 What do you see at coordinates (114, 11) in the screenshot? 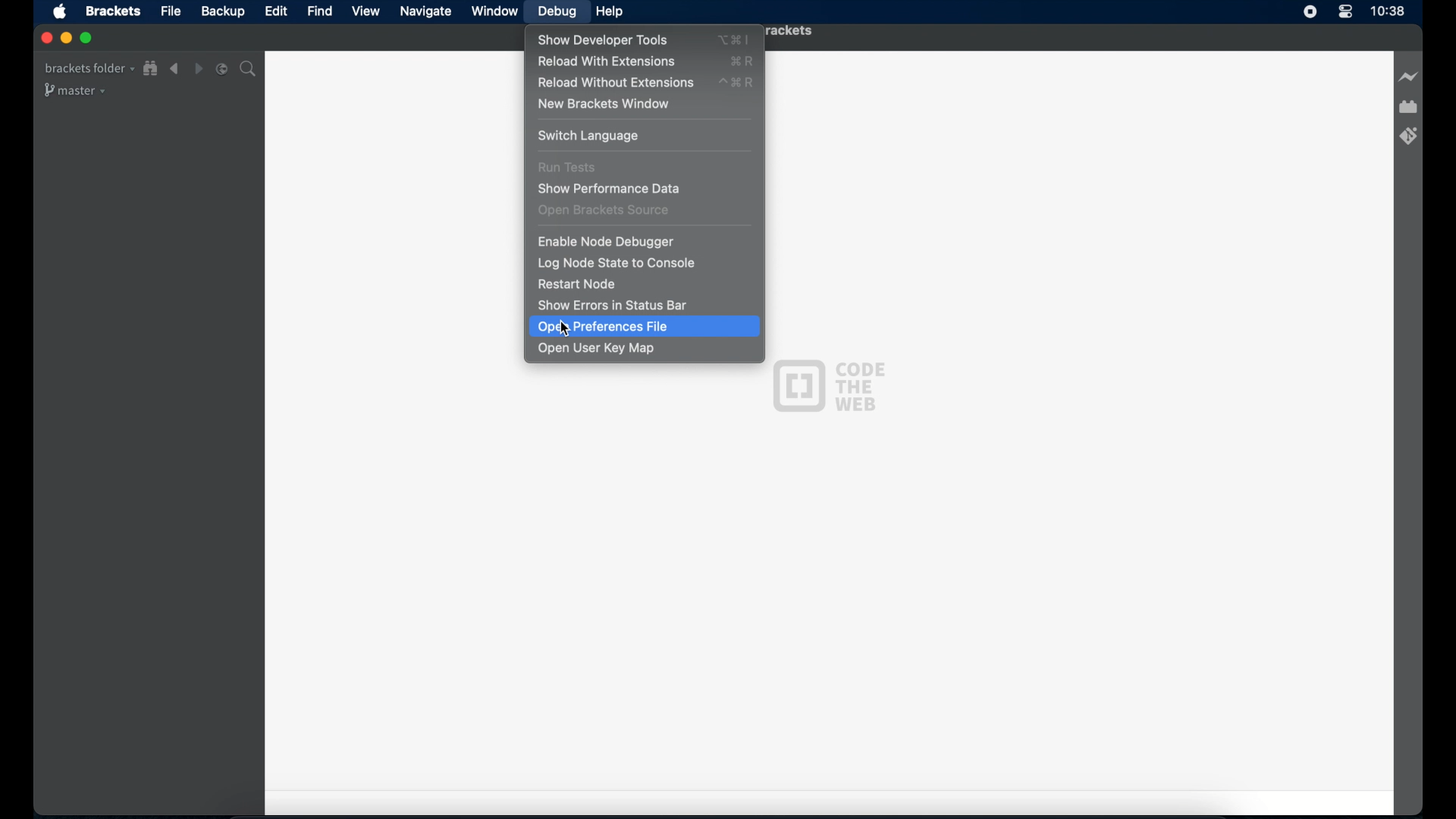
I see `brackets` at bounding box center [114, 11].